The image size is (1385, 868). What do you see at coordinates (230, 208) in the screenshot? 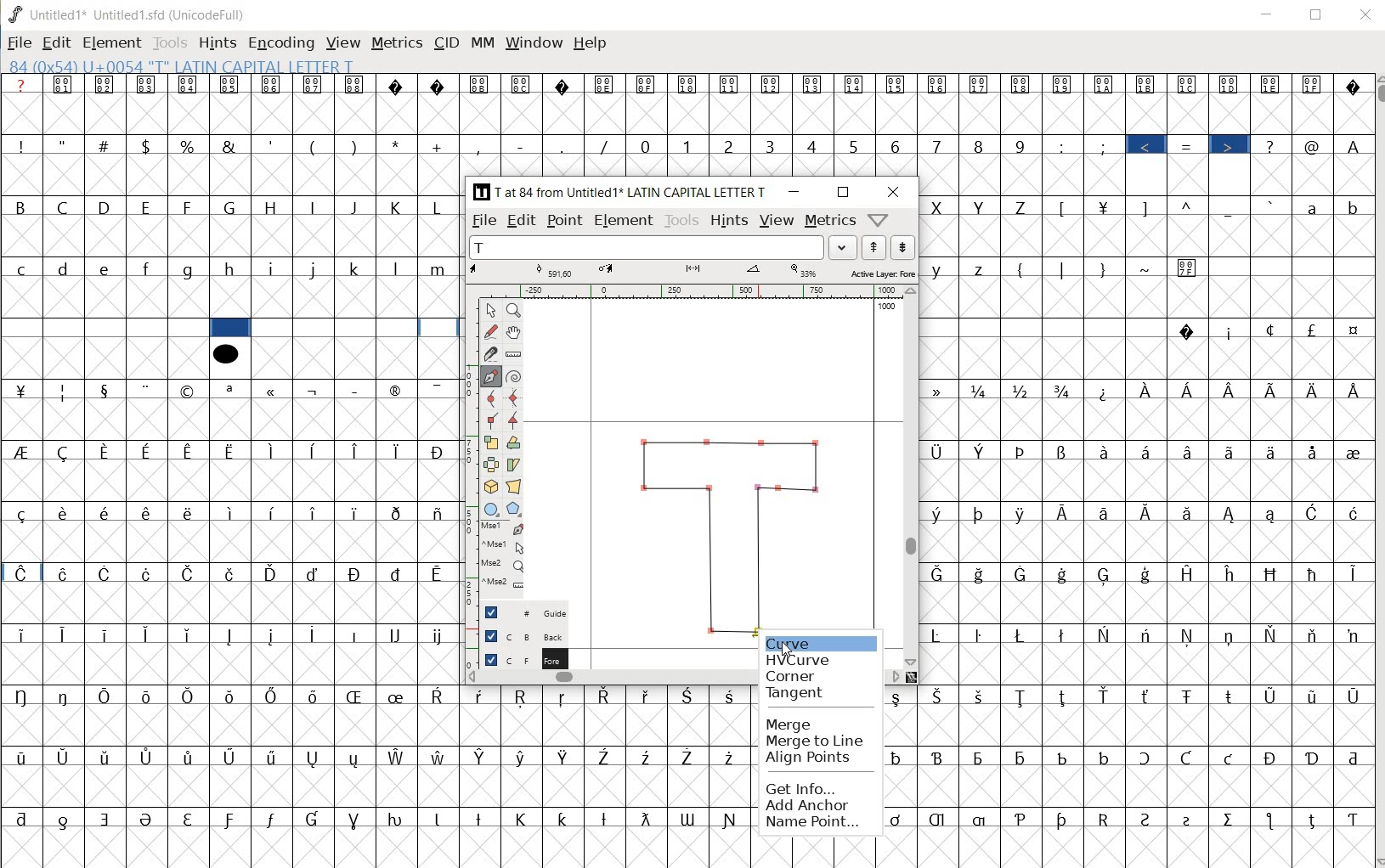
I see `G` at bounding box center [230, 208].